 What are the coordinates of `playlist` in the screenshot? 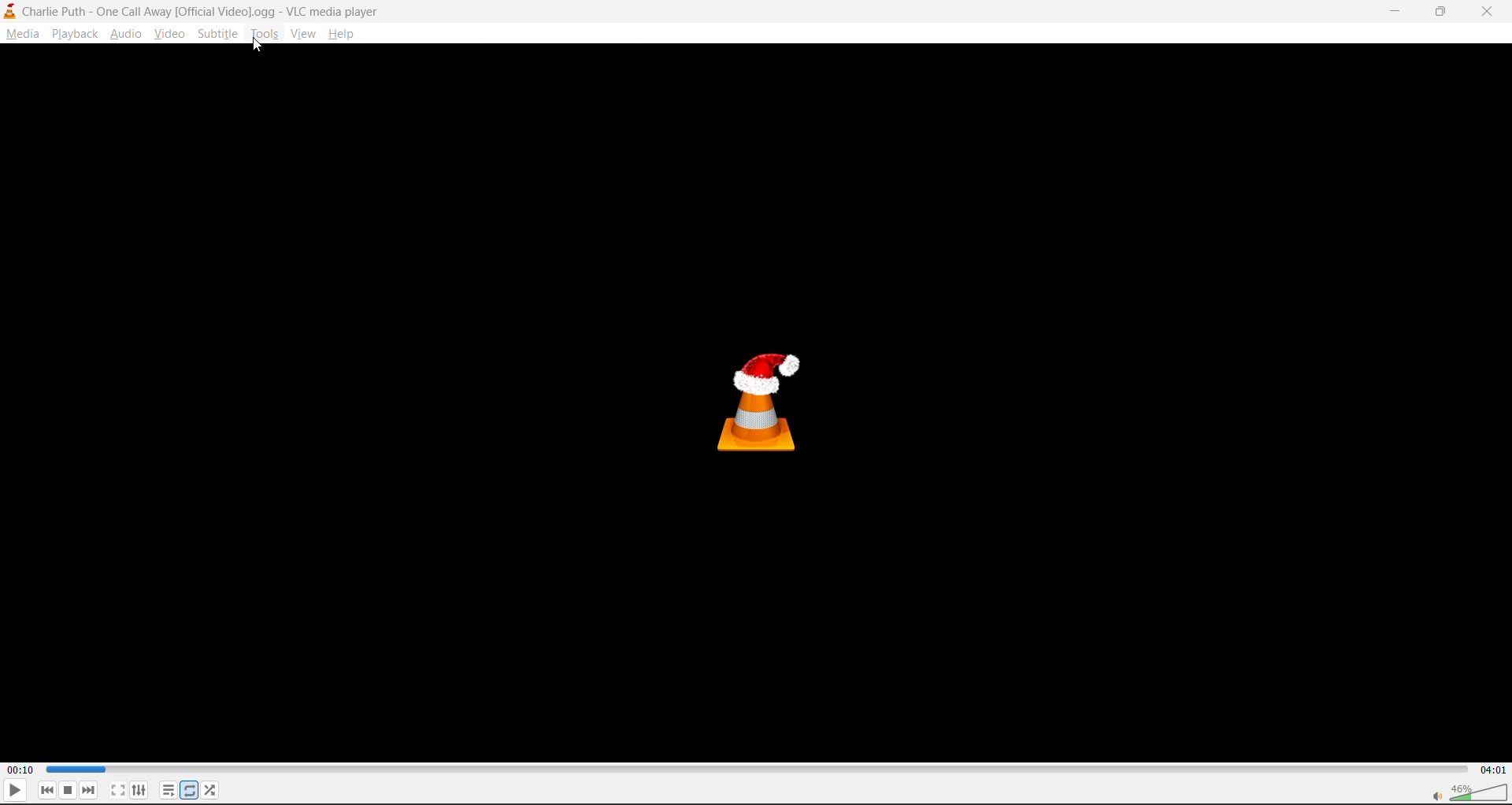 It's located at (172, 788).